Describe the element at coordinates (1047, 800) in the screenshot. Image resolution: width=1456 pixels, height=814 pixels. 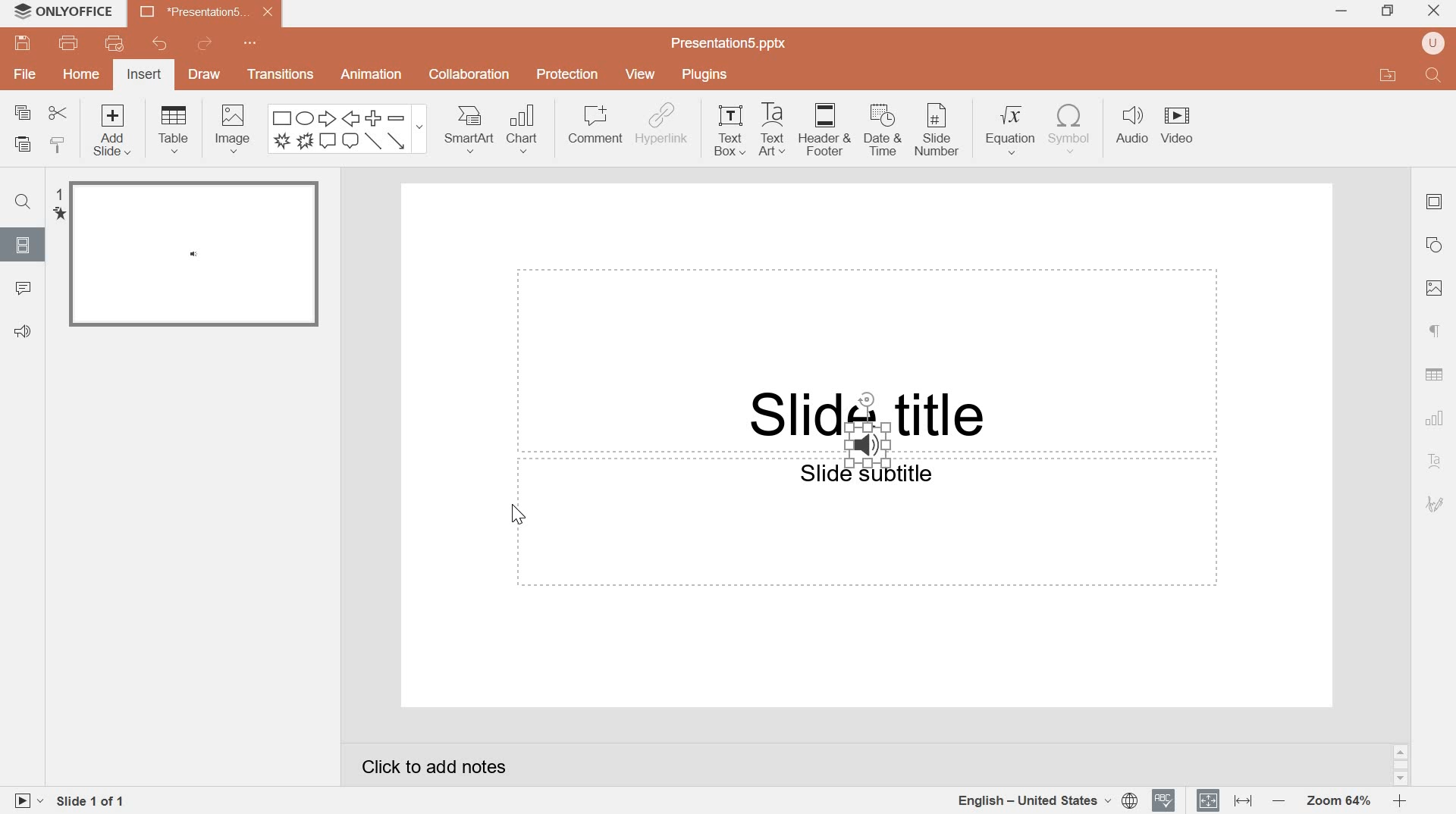
I see `select document language` at that location.